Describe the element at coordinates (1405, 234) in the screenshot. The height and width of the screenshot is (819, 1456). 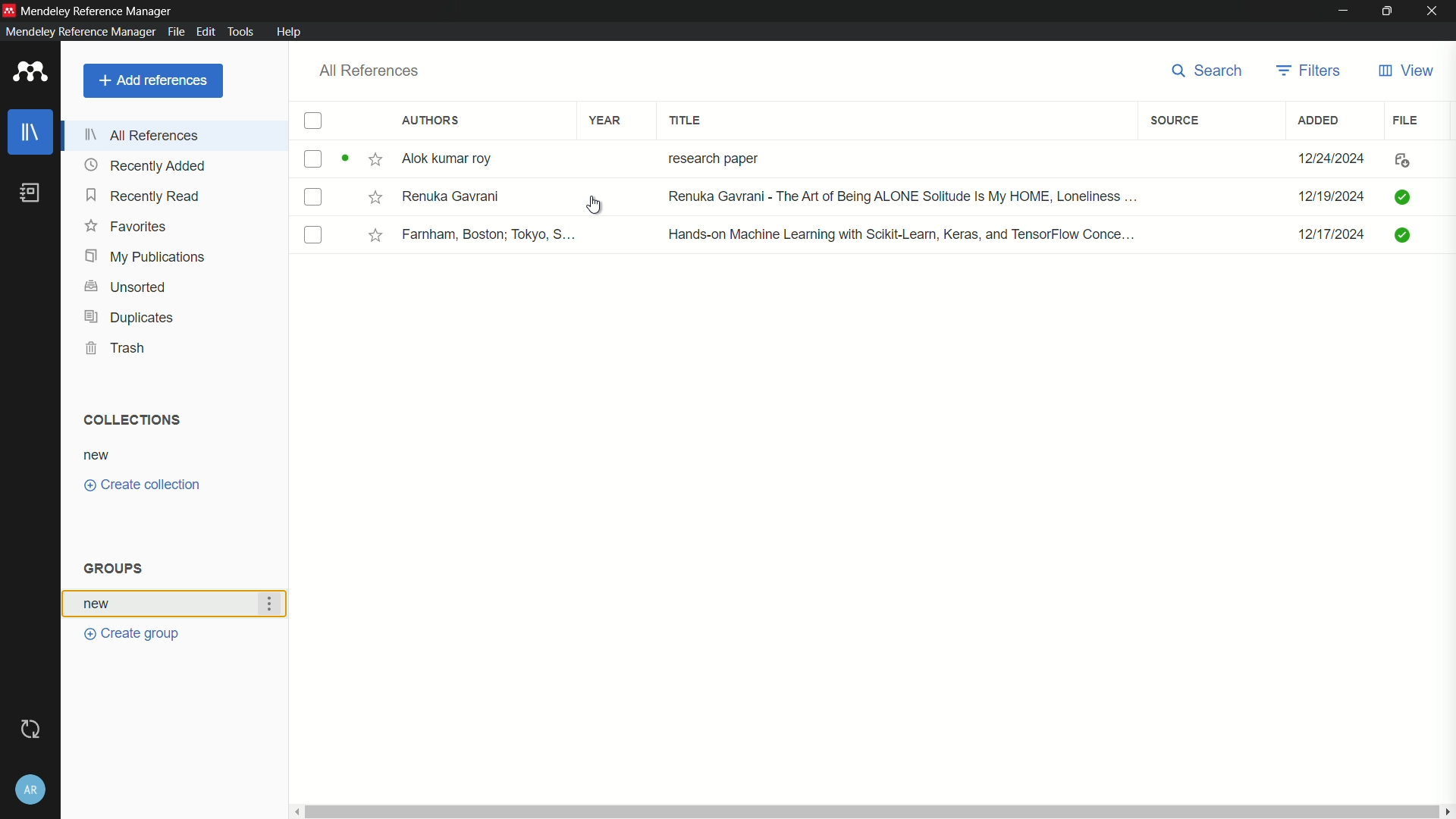
I see `Checked` at that location.